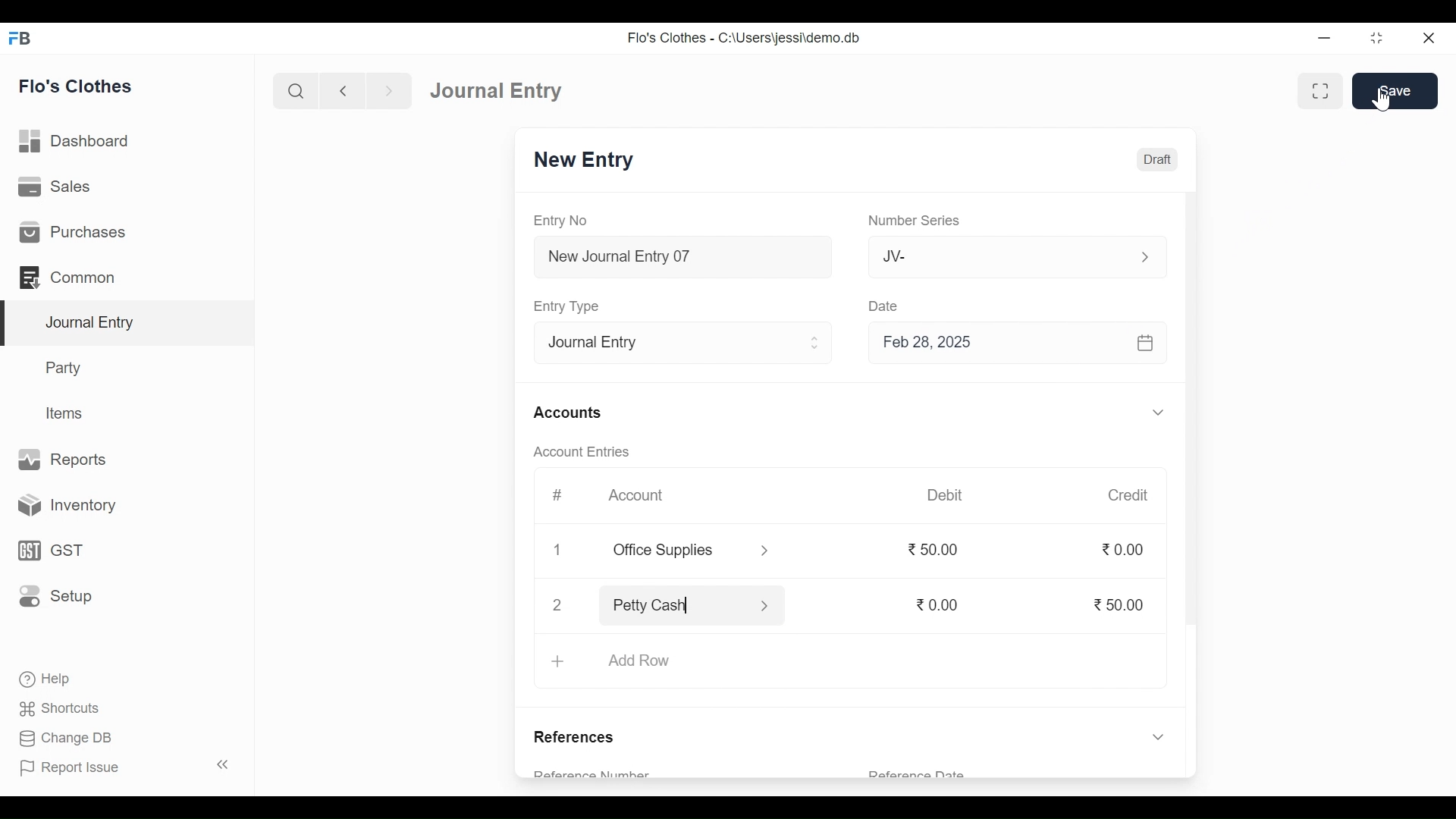 This screenshot has width=1456, height=819. I want to click on Inventory, so click(61, 507).